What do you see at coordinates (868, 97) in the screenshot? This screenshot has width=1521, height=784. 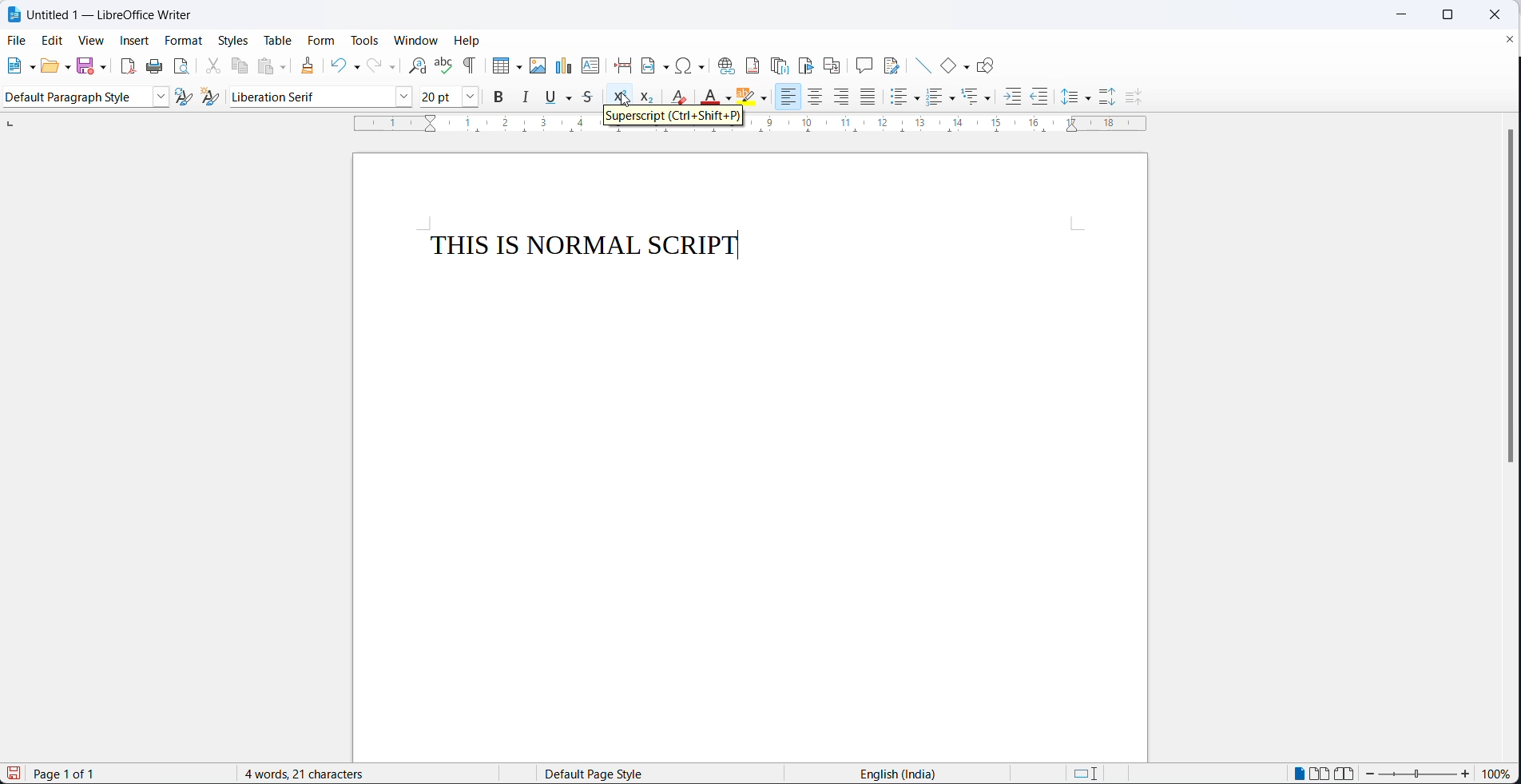 I see `justified` at bounding box center [868, 97].